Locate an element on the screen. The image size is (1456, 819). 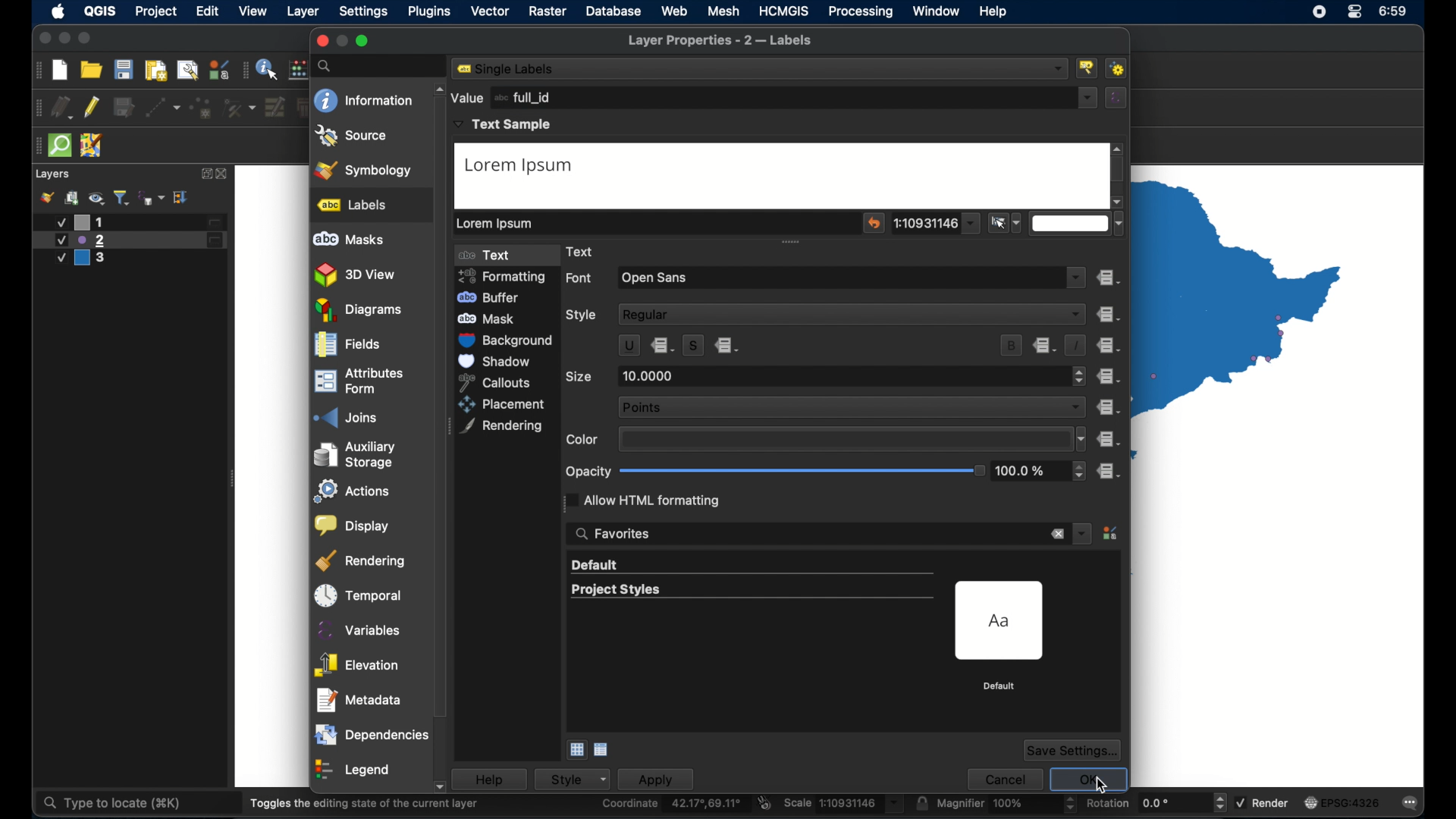
close is located at coordinates (321, 41).